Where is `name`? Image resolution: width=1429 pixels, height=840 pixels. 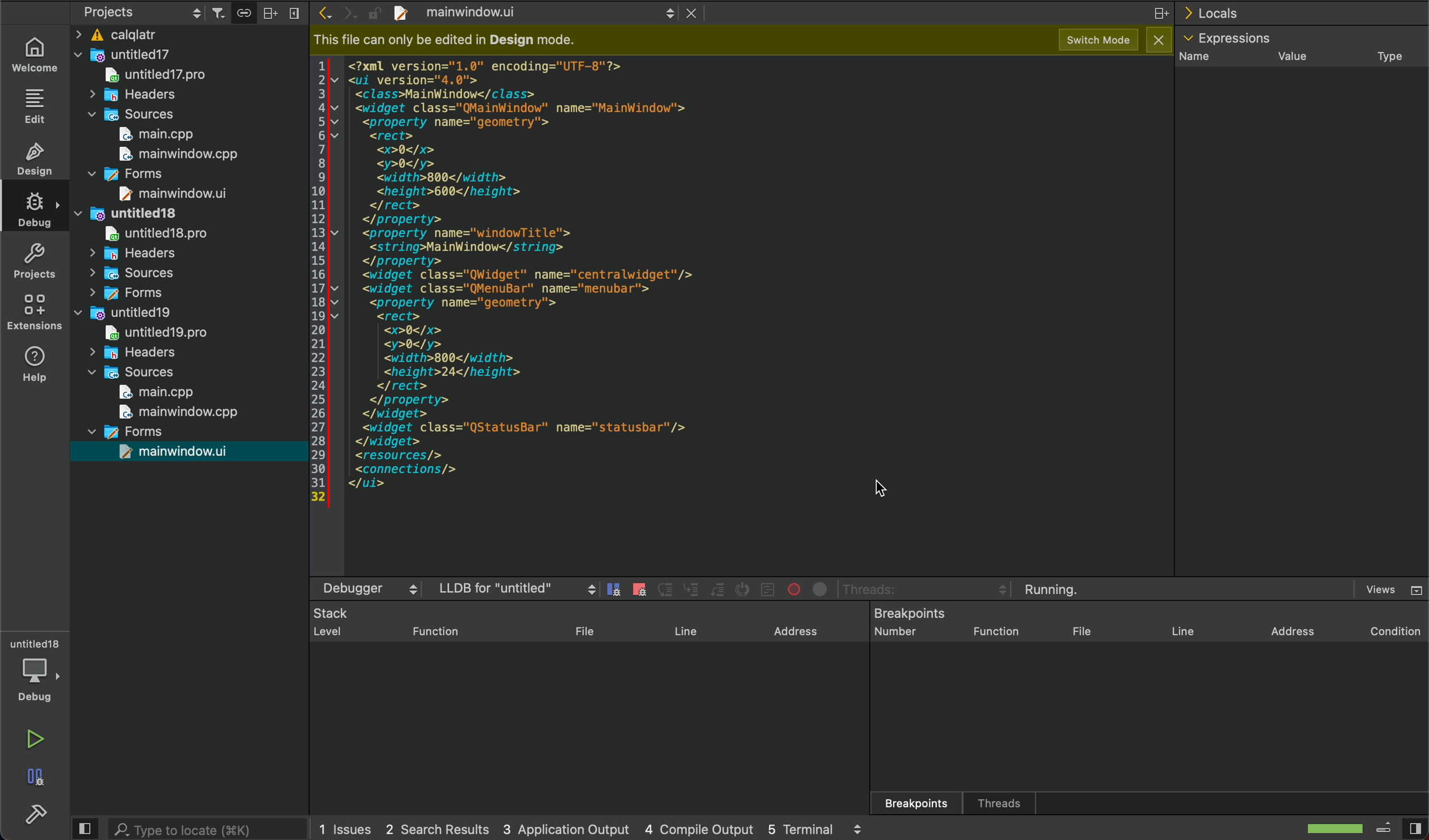 name is located at coordinates (1203, 58).